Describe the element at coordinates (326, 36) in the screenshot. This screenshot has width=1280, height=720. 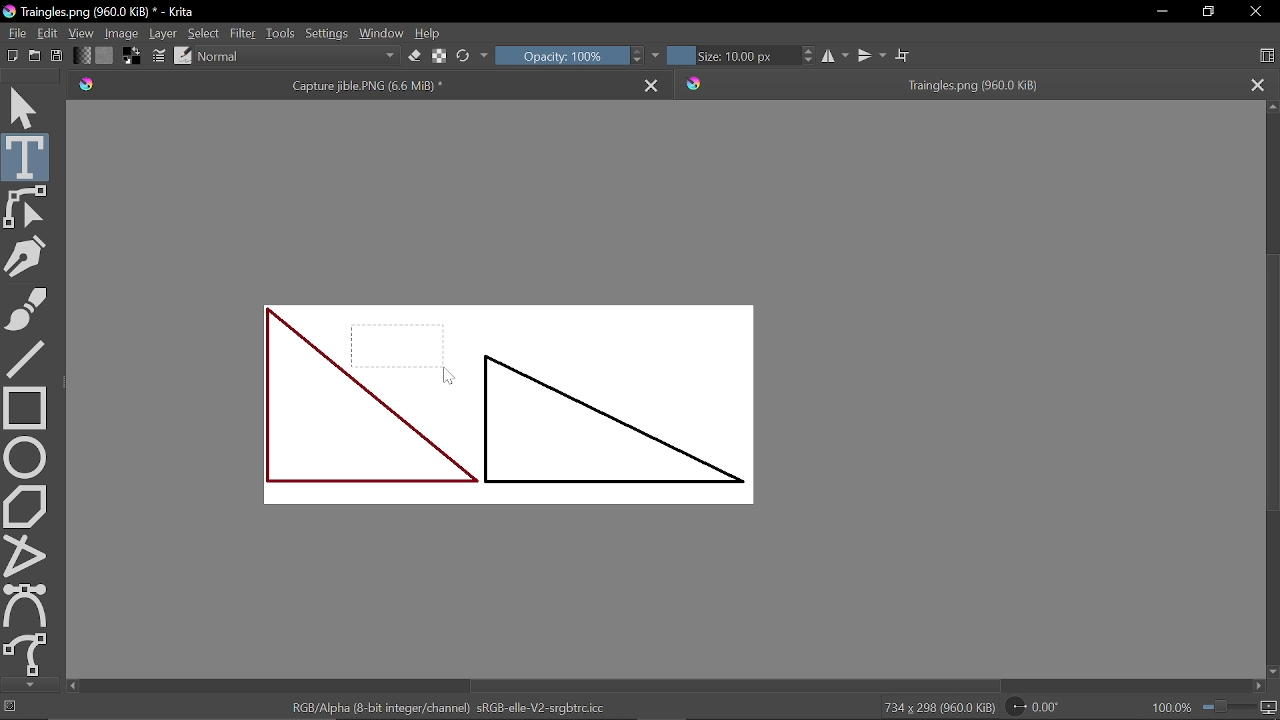
I see `Settings` at that location.